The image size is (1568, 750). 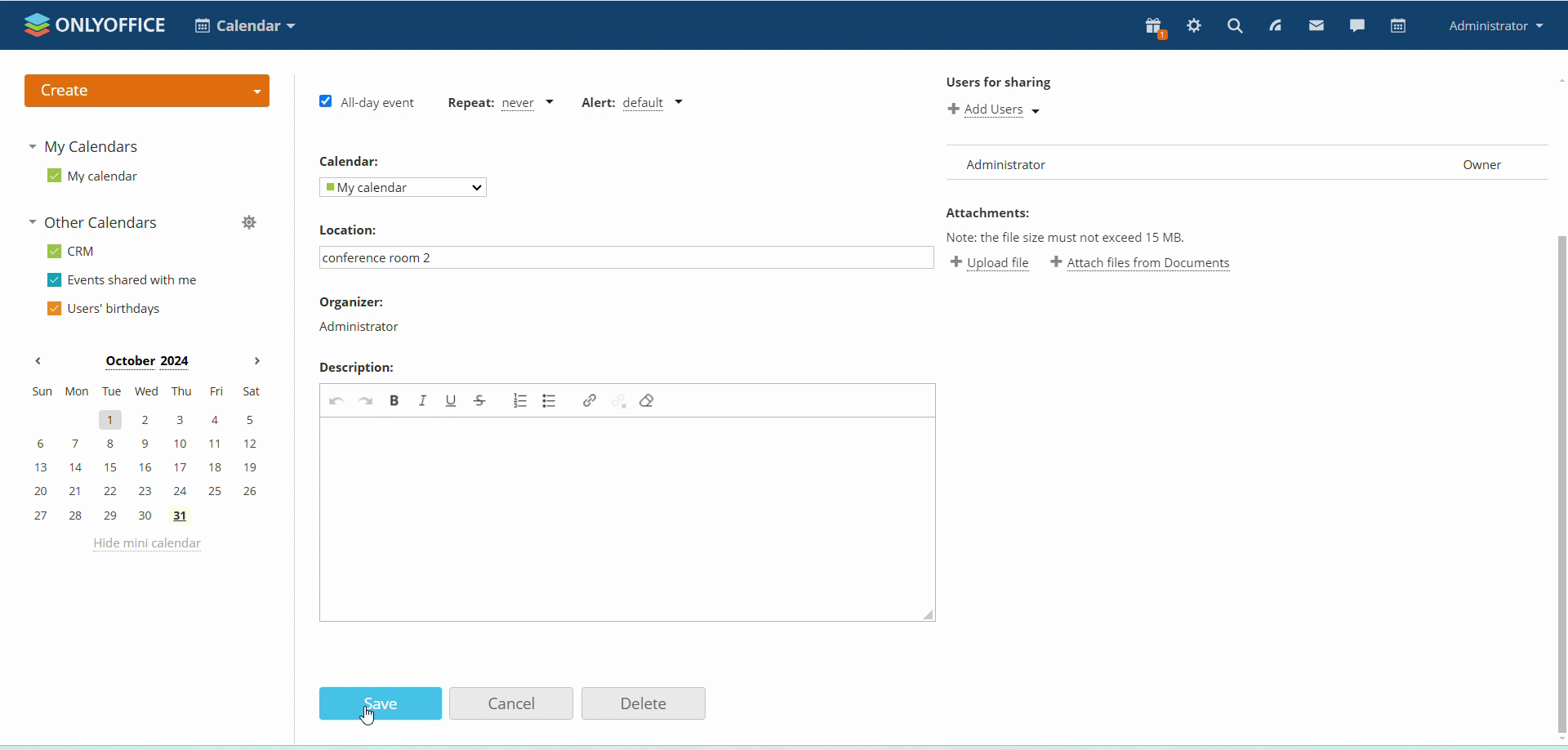 What do you see at coordinates (991, 265) in the screenshot?
I see `upload file` at bounding box center [991, 265].